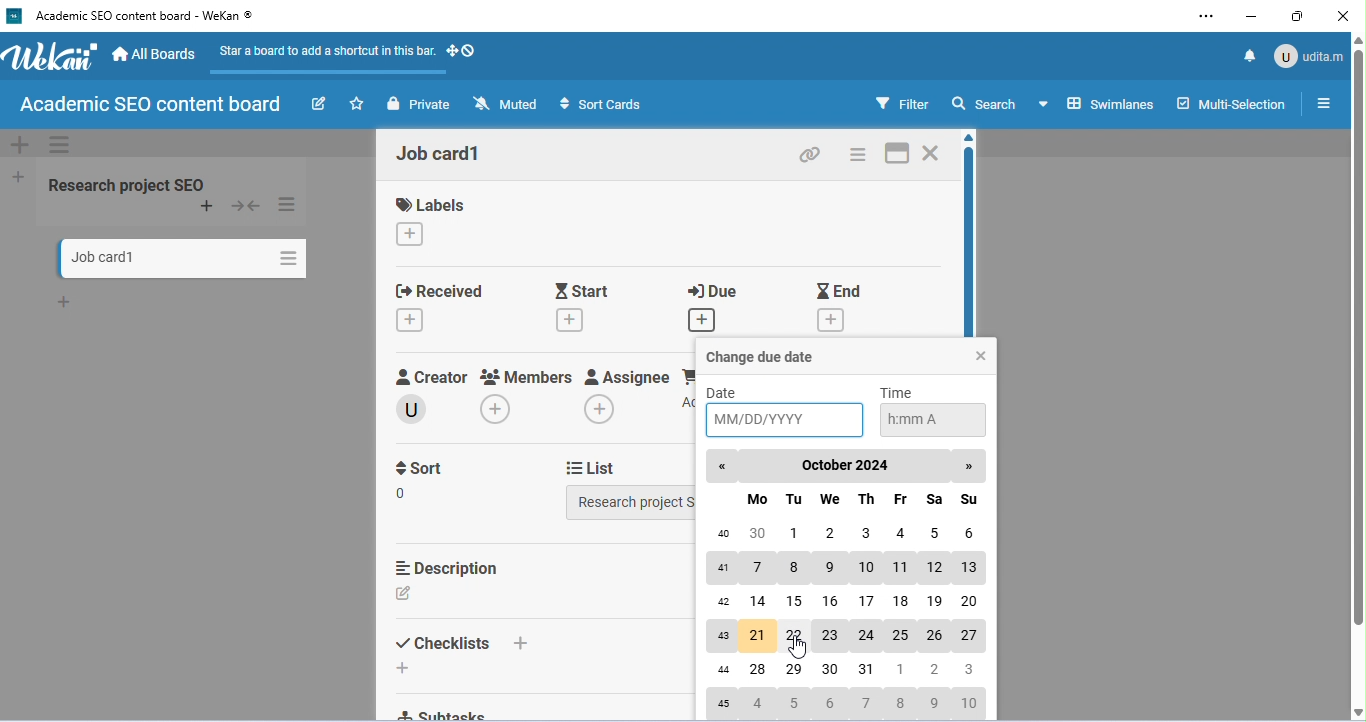  I want to click on description, so click(452, 567).